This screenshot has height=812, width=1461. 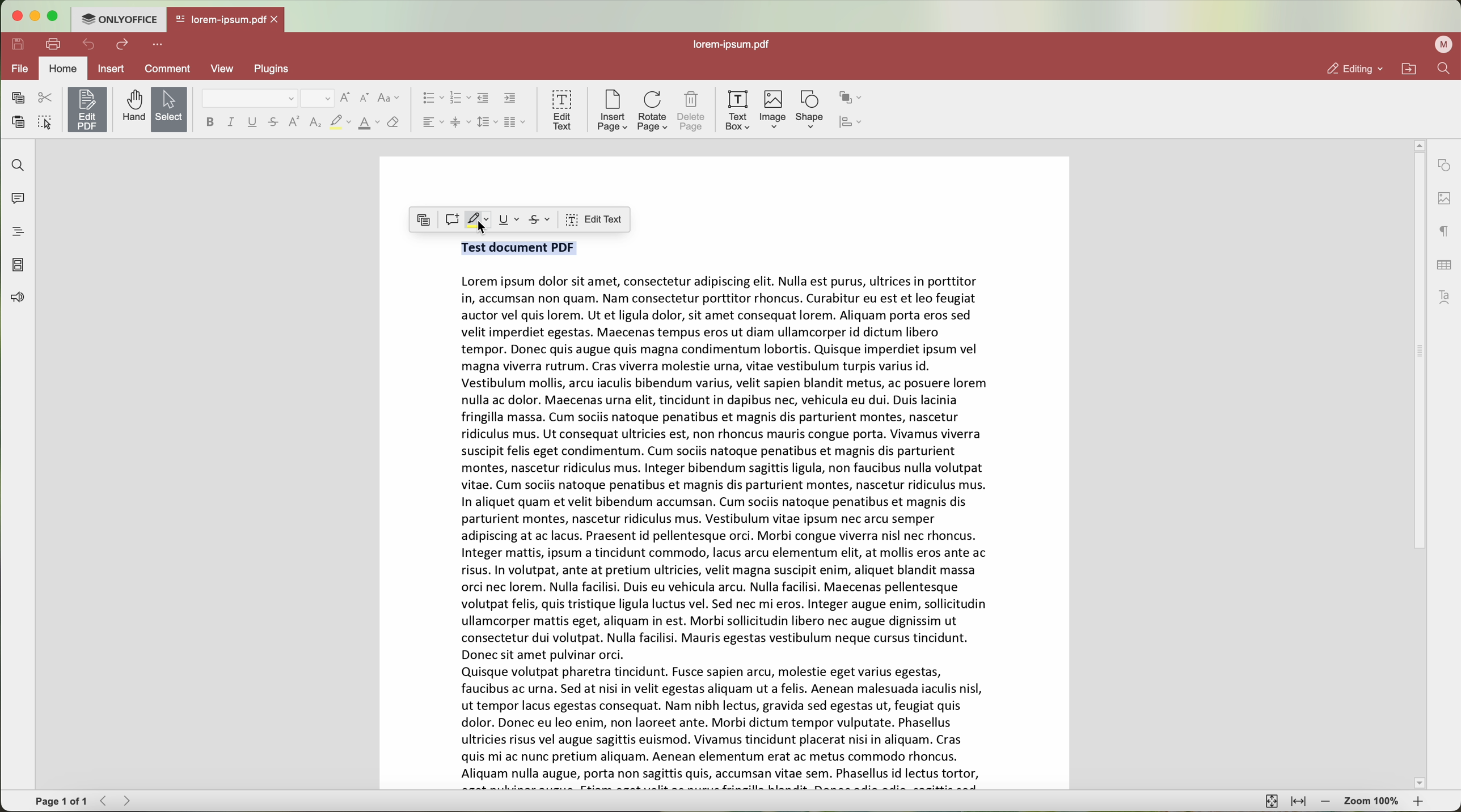 I want to click on home, so click(x=65, y=68).